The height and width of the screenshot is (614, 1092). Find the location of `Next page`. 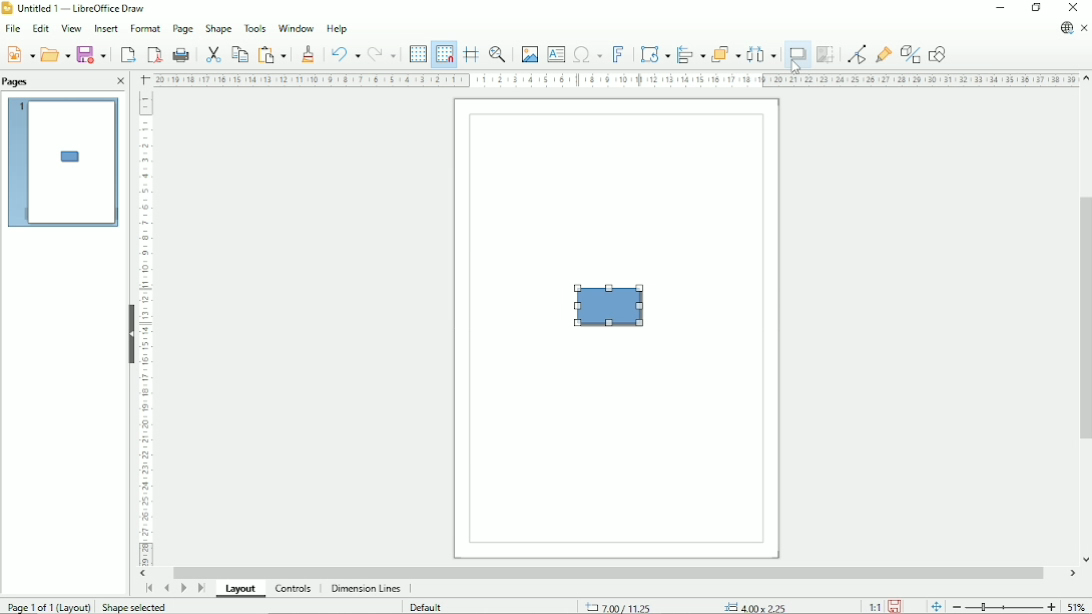

Next page is located at coordinates (183, 589).